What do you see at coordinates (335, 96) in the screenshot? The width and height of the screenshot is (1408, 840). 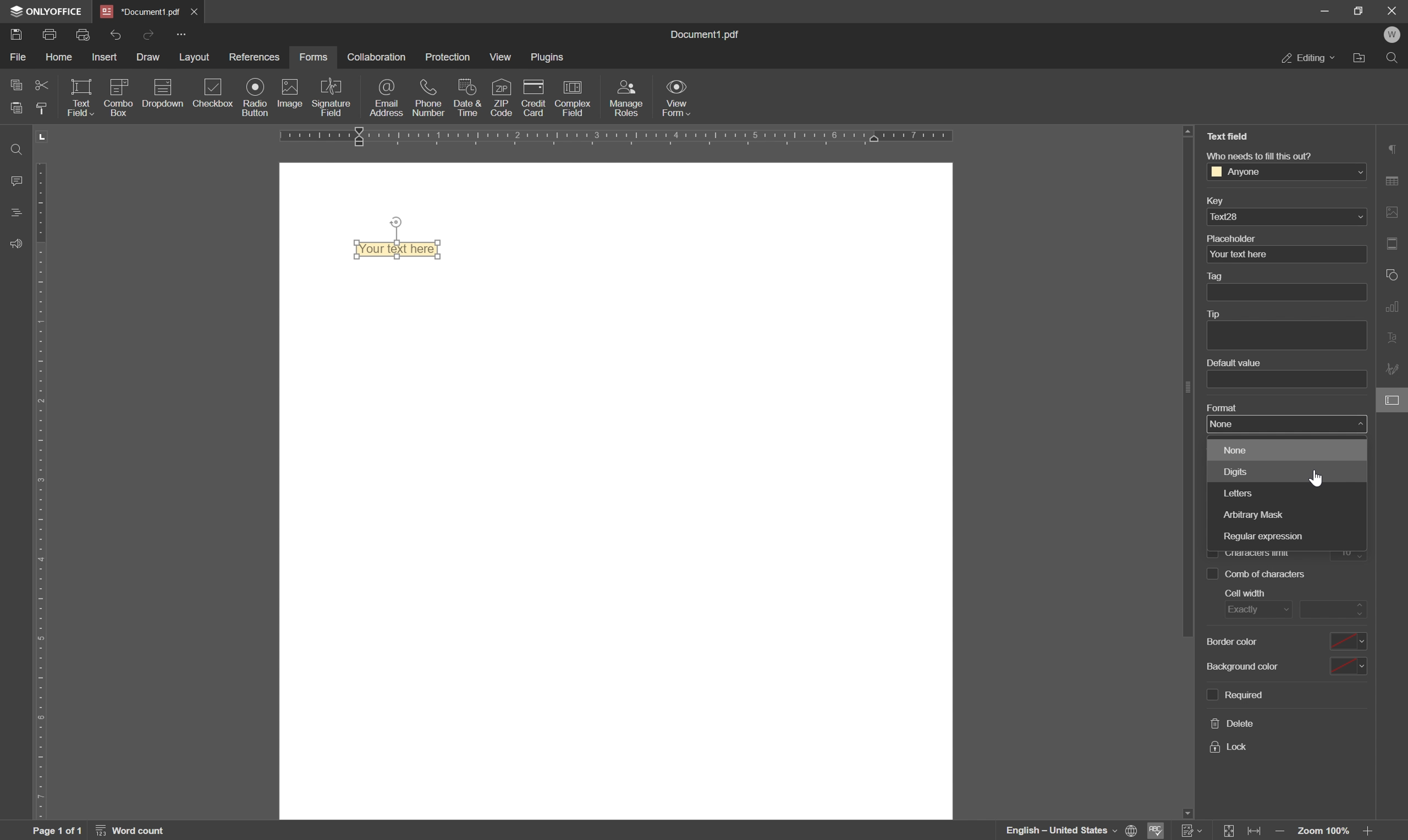 I see `signature field` at bounding box center [335, 96].